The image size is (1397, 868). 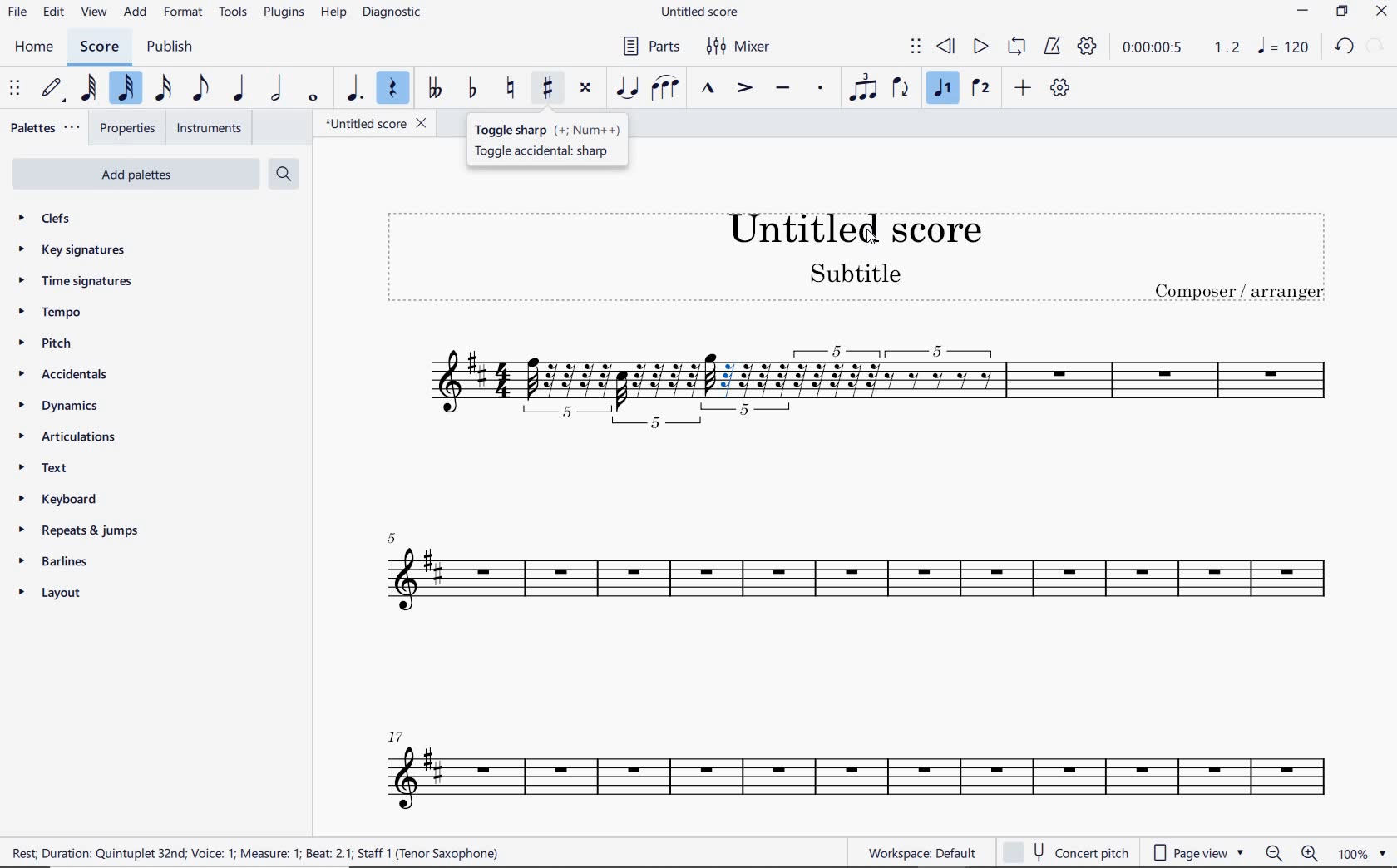 I want to click on DIAGNOSTIC, so click(x=394, y=14).